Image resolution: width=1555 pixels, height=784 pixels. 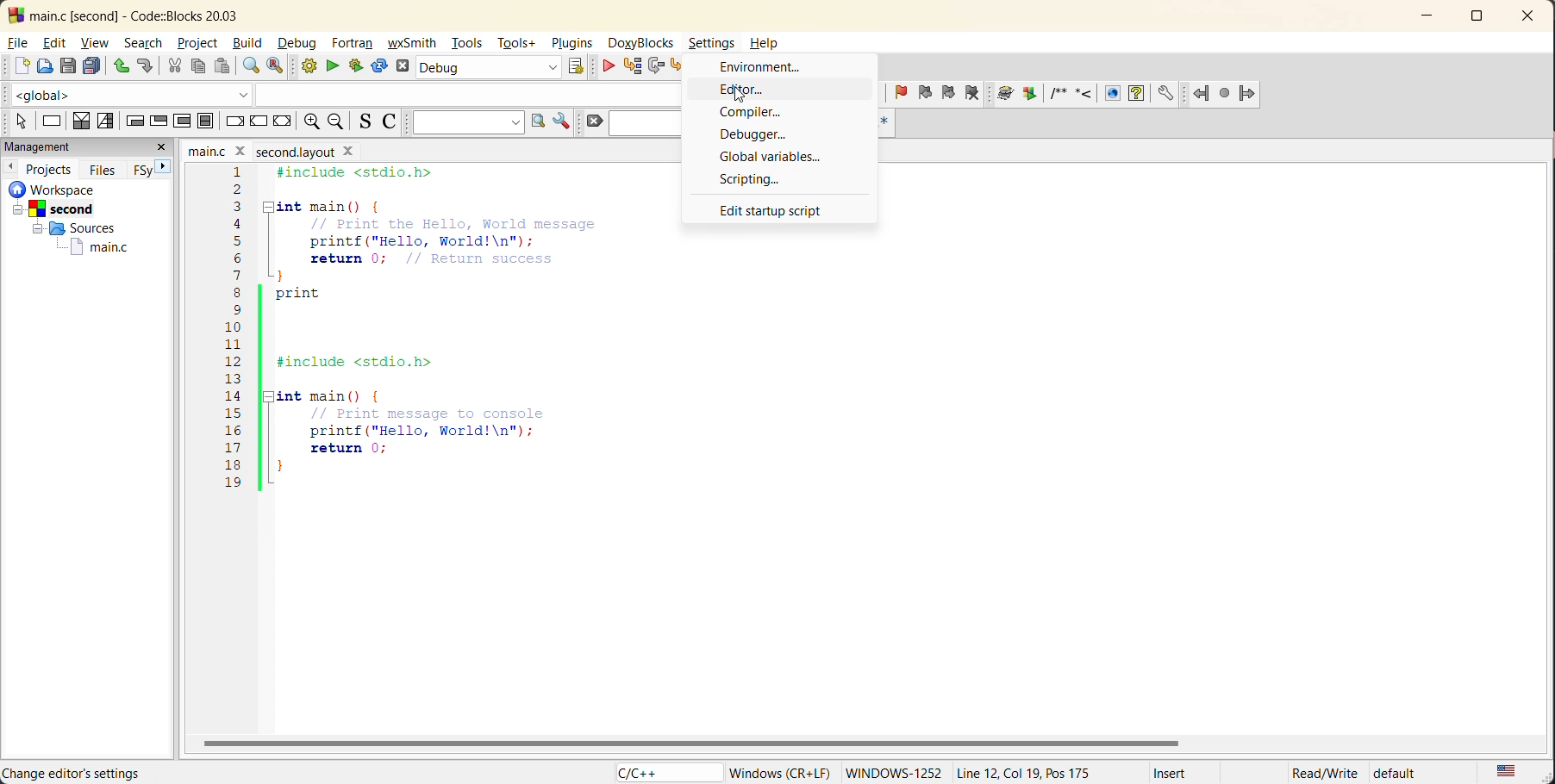 What do you see at coordinates (381, 66) in the screenshot?
I see `rebuild` at bounding box center [381, 66].